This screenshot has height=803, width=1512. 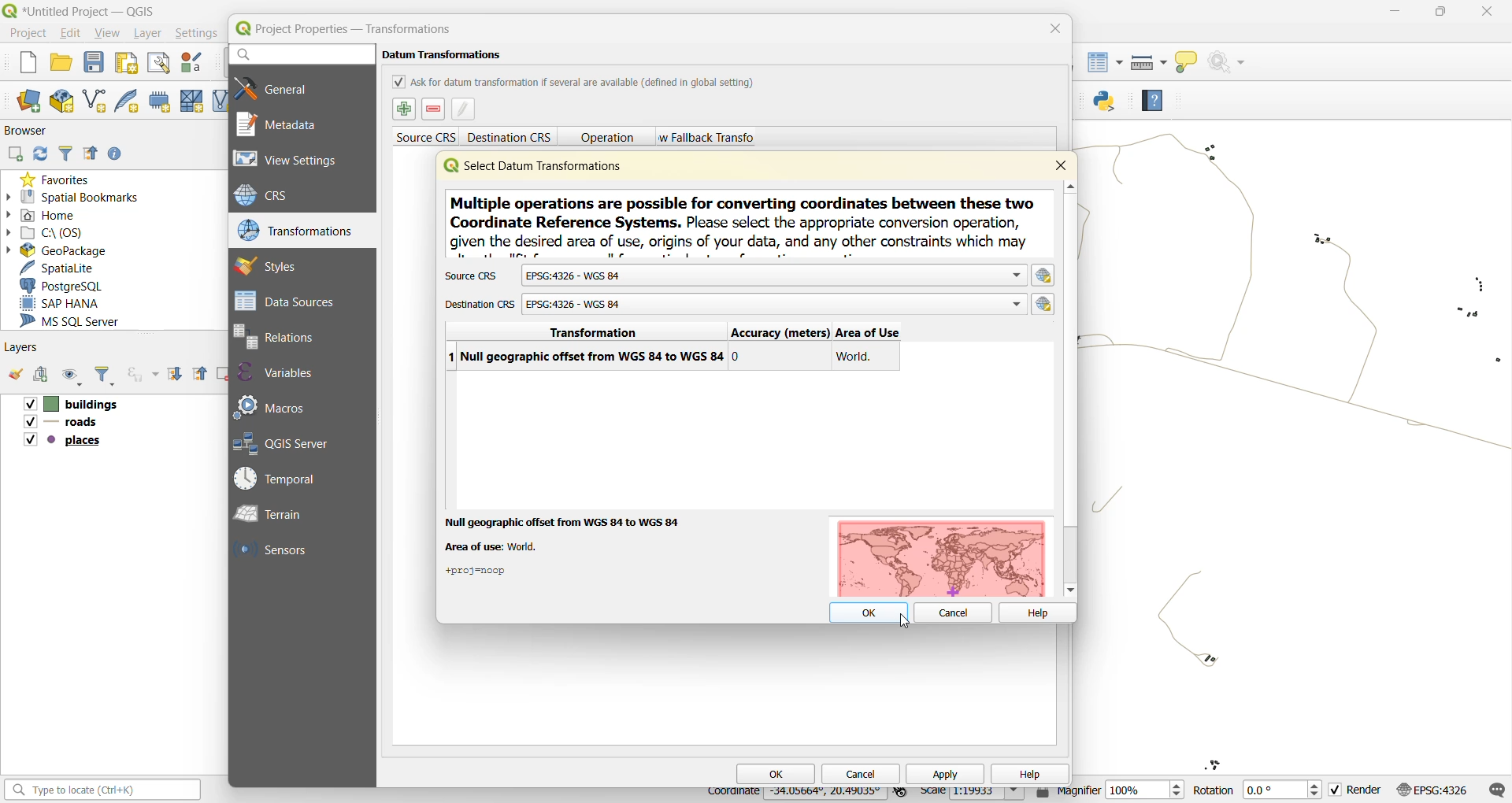 I want to click on transformations, so click(x=297, y=230).